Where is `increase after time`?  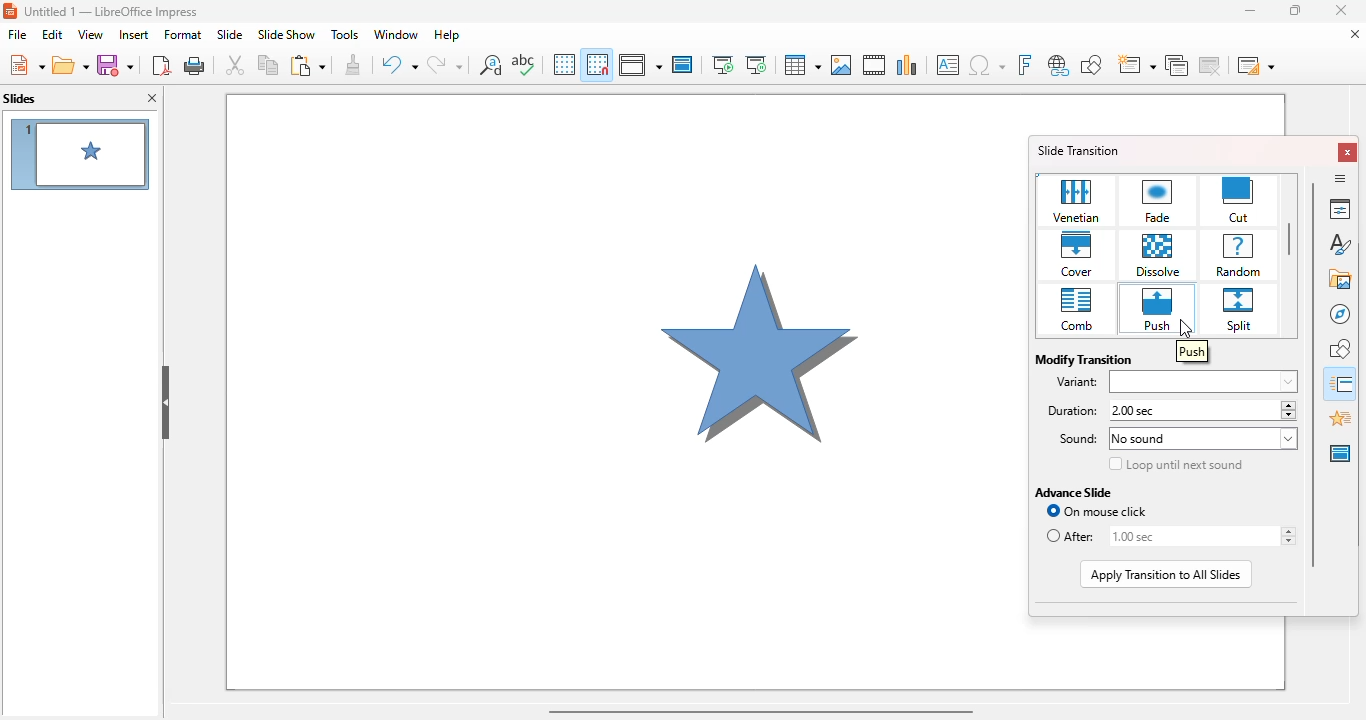 increase after time is located at coordinates (1287, 531).